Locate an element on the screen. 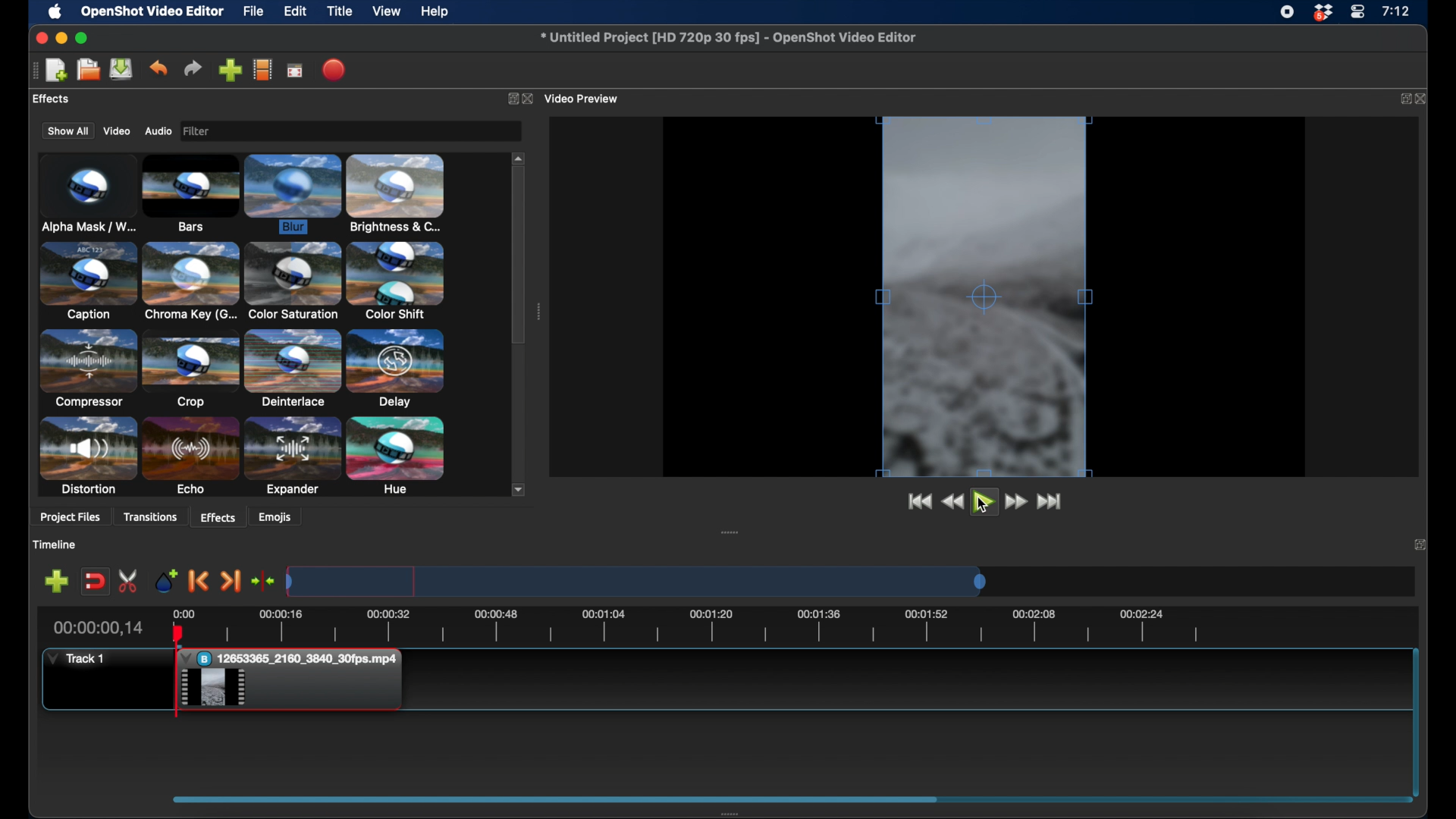  play is located at coordinates (984, 504).